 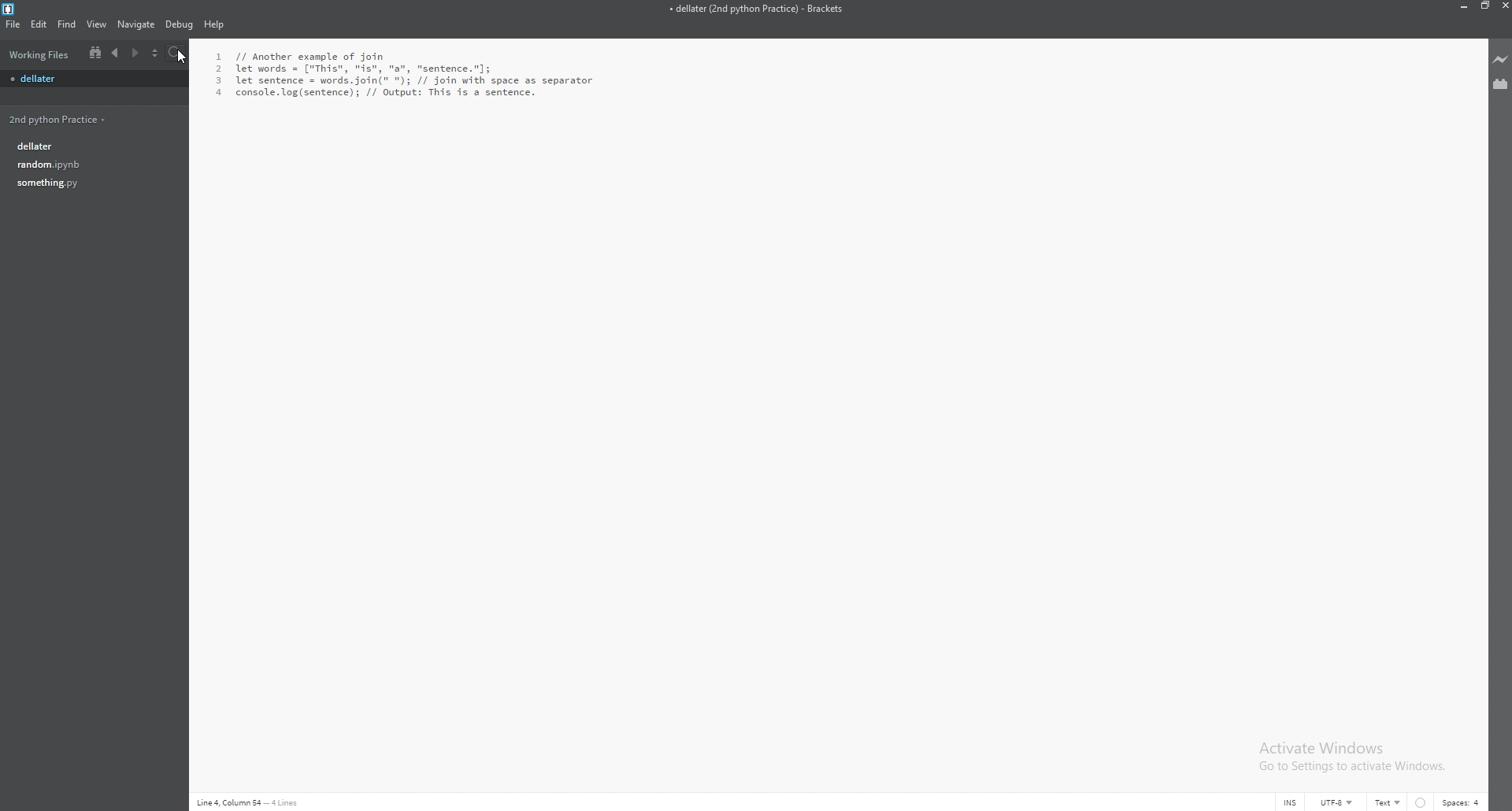 What do you see at coordinates (94, 54) in the screenshot?
I see `split view` at bounding box center [94, 54].